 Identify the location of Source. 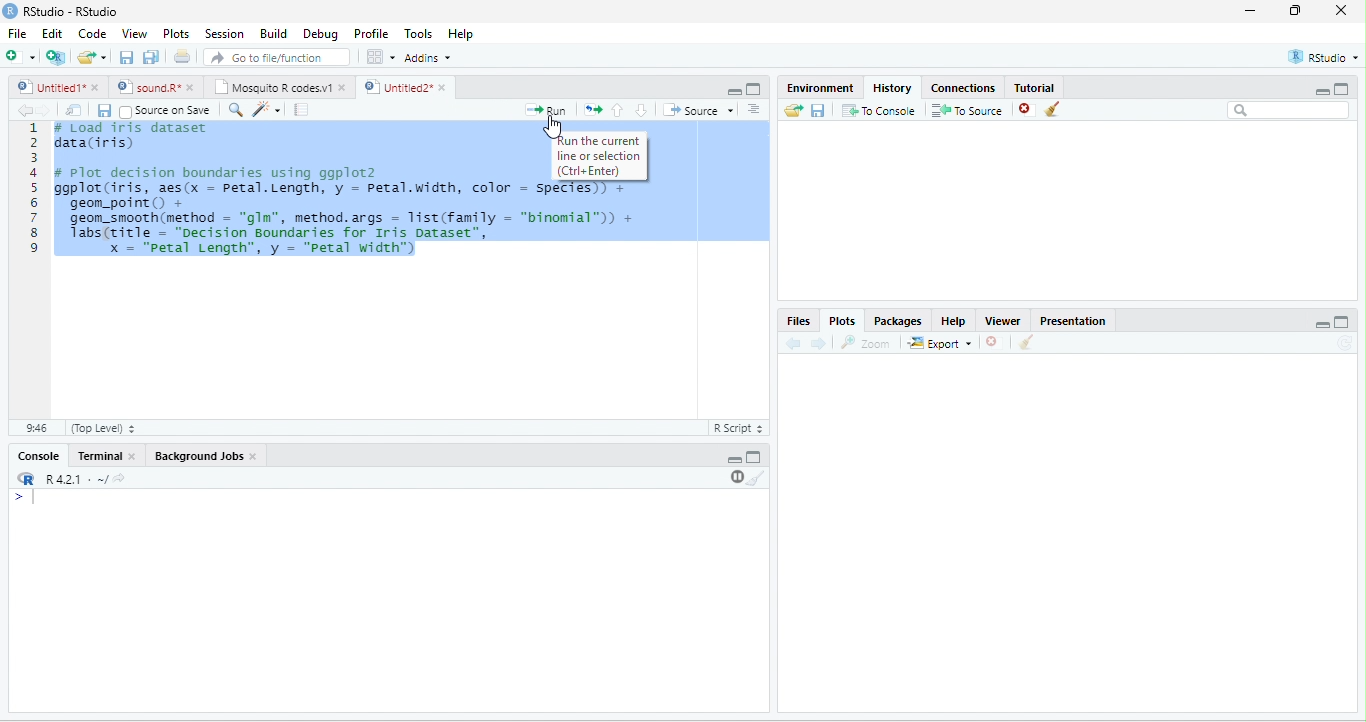
(698, 110).